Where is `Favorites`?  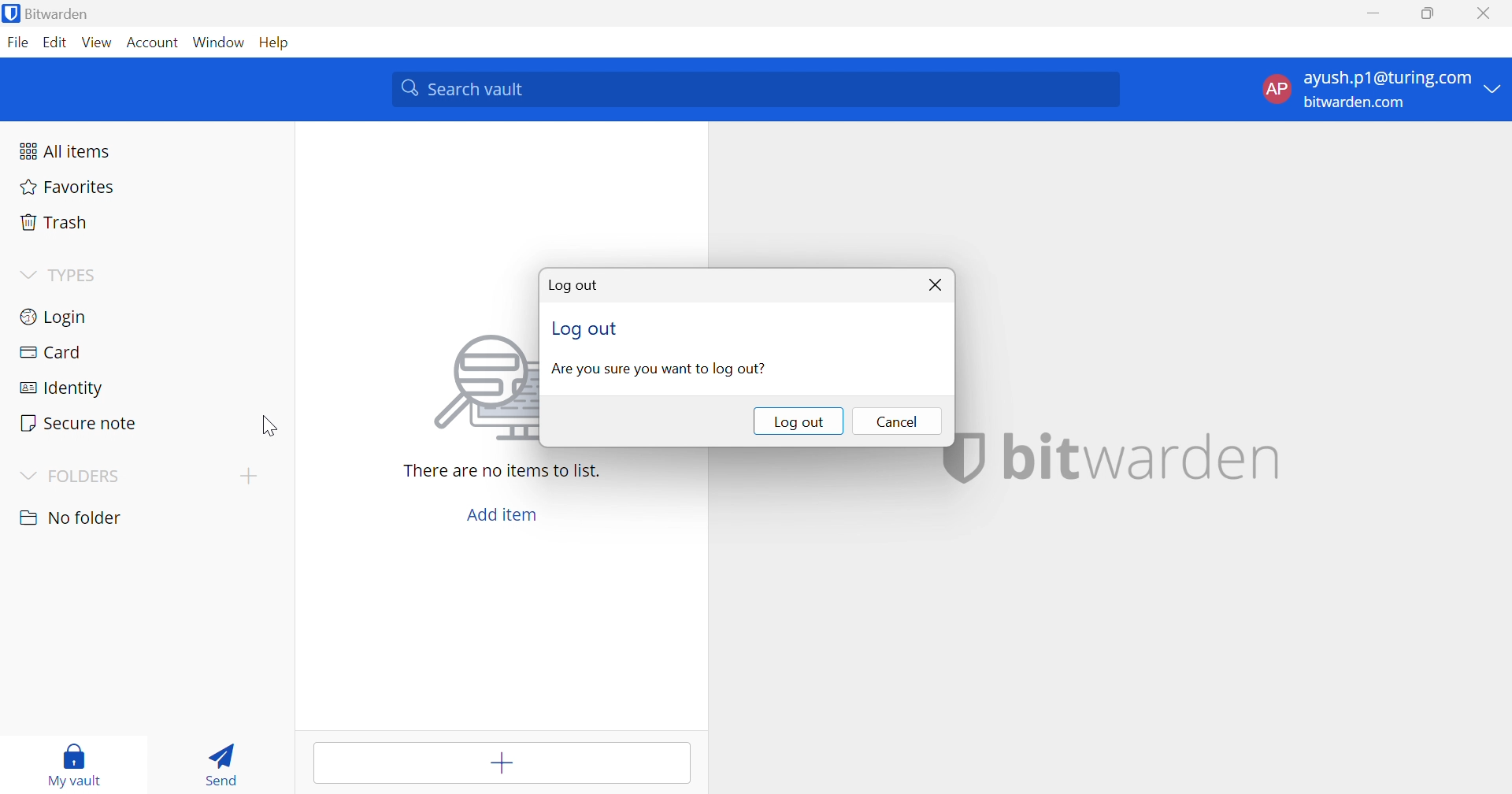
Favorites is located at coordinates (65, 189).